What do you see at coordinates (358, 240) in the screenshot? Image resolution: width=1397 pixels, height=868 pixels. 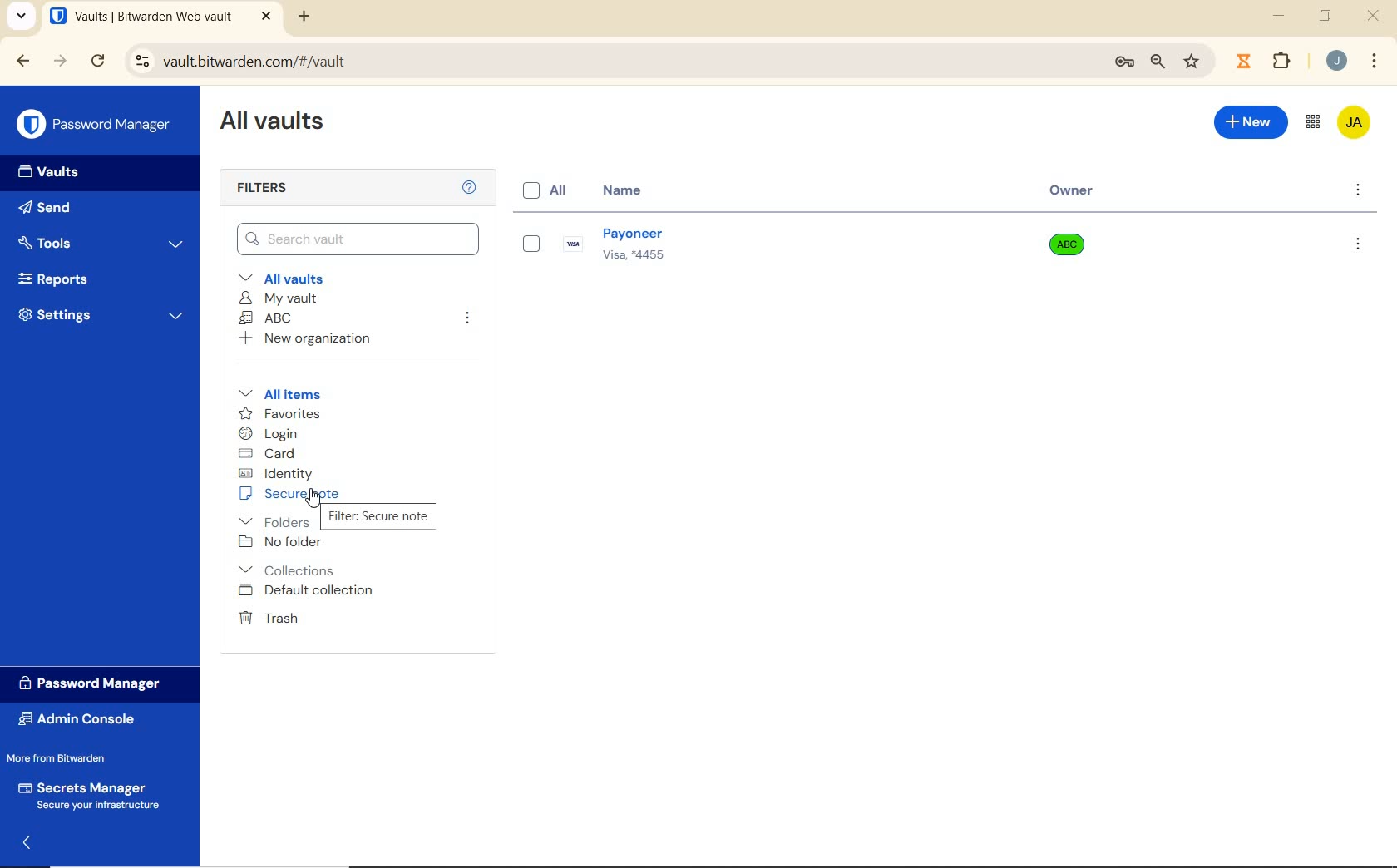 I see `Search Vault` at bounding box center [358, 240].